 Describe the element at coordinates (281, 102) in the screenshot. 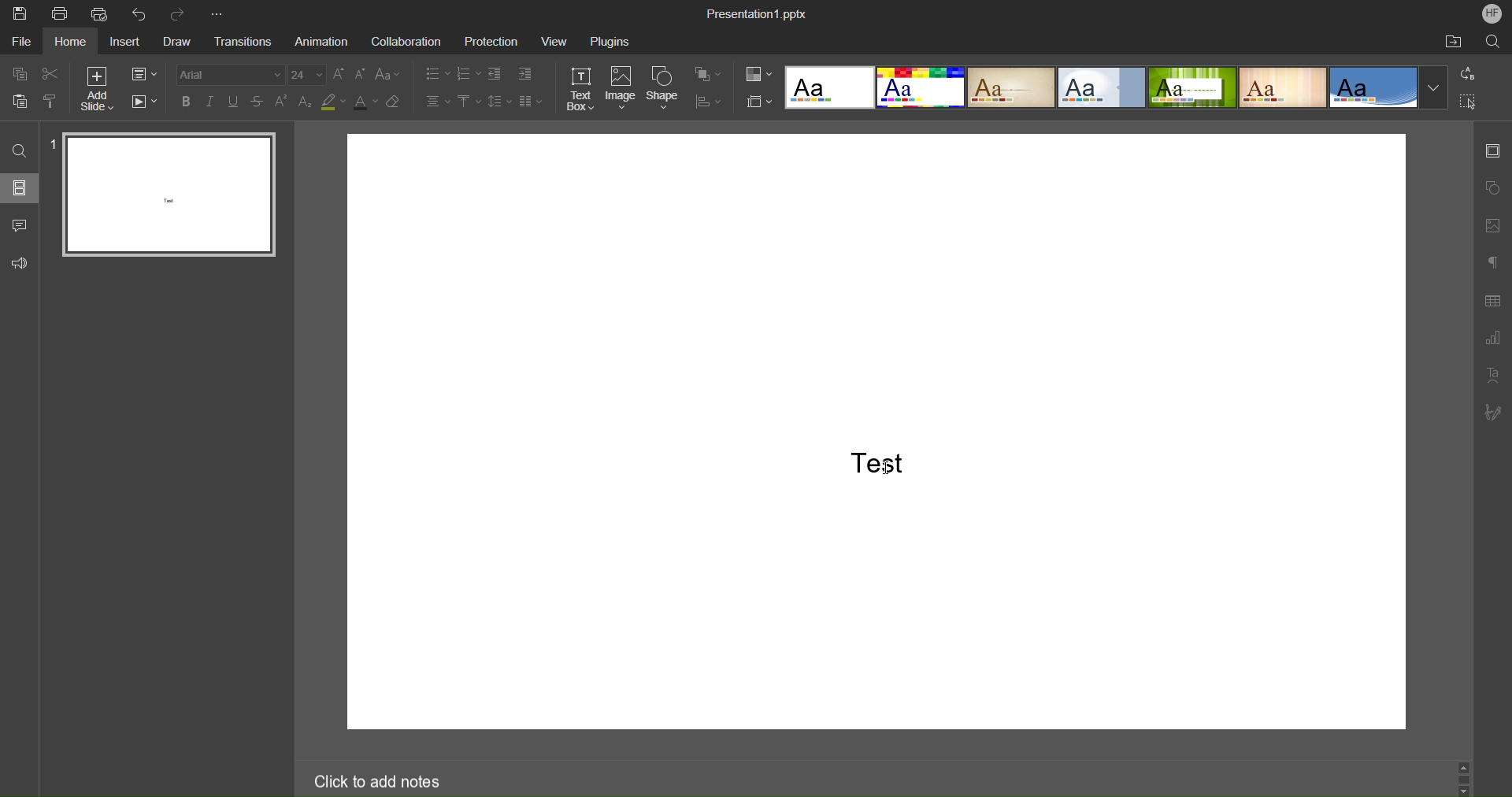

I see `Superscript` at that location.